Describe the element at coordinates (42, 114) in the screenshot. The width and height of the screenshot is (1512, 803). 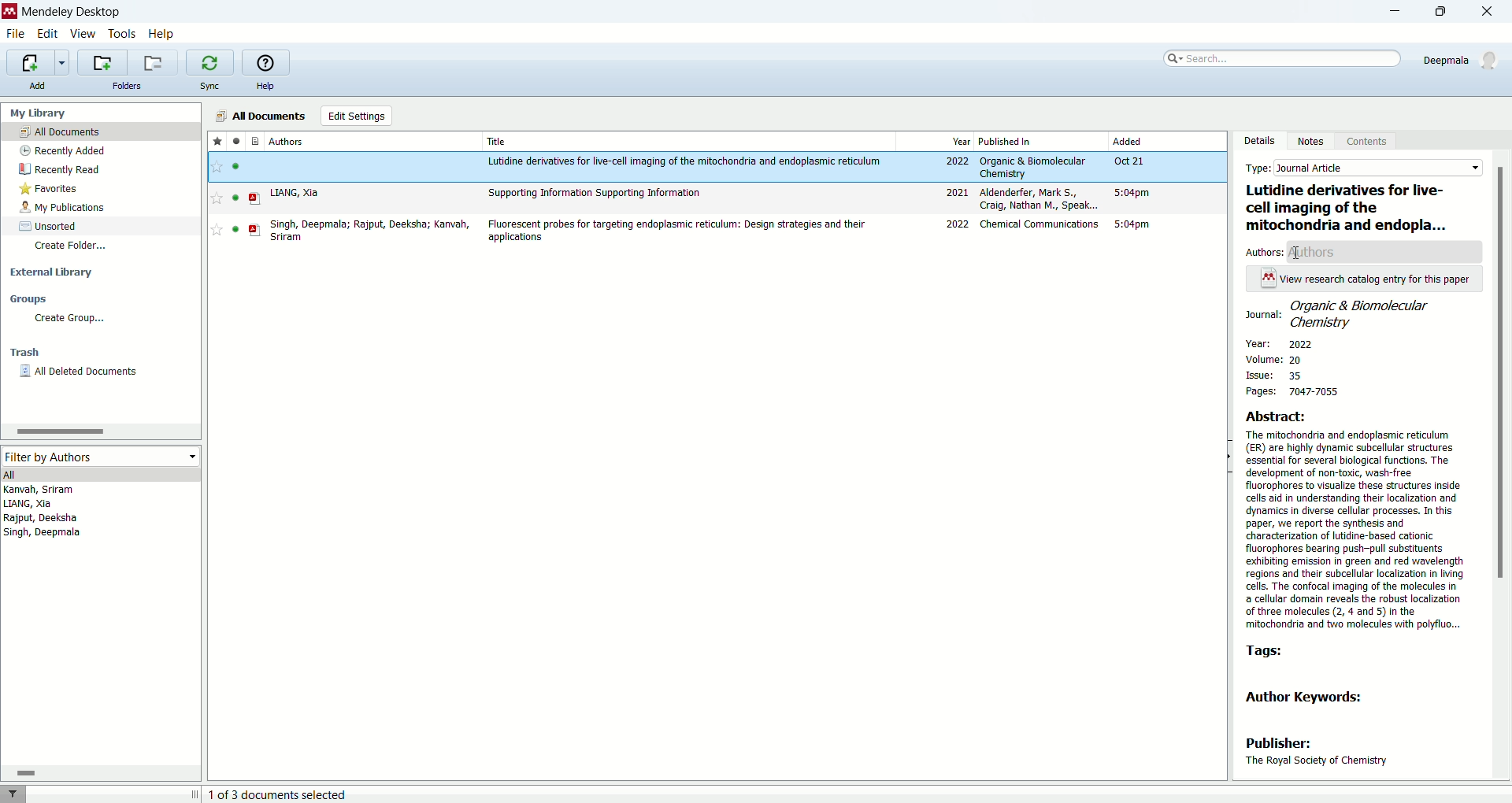
I see `my library` at that location.